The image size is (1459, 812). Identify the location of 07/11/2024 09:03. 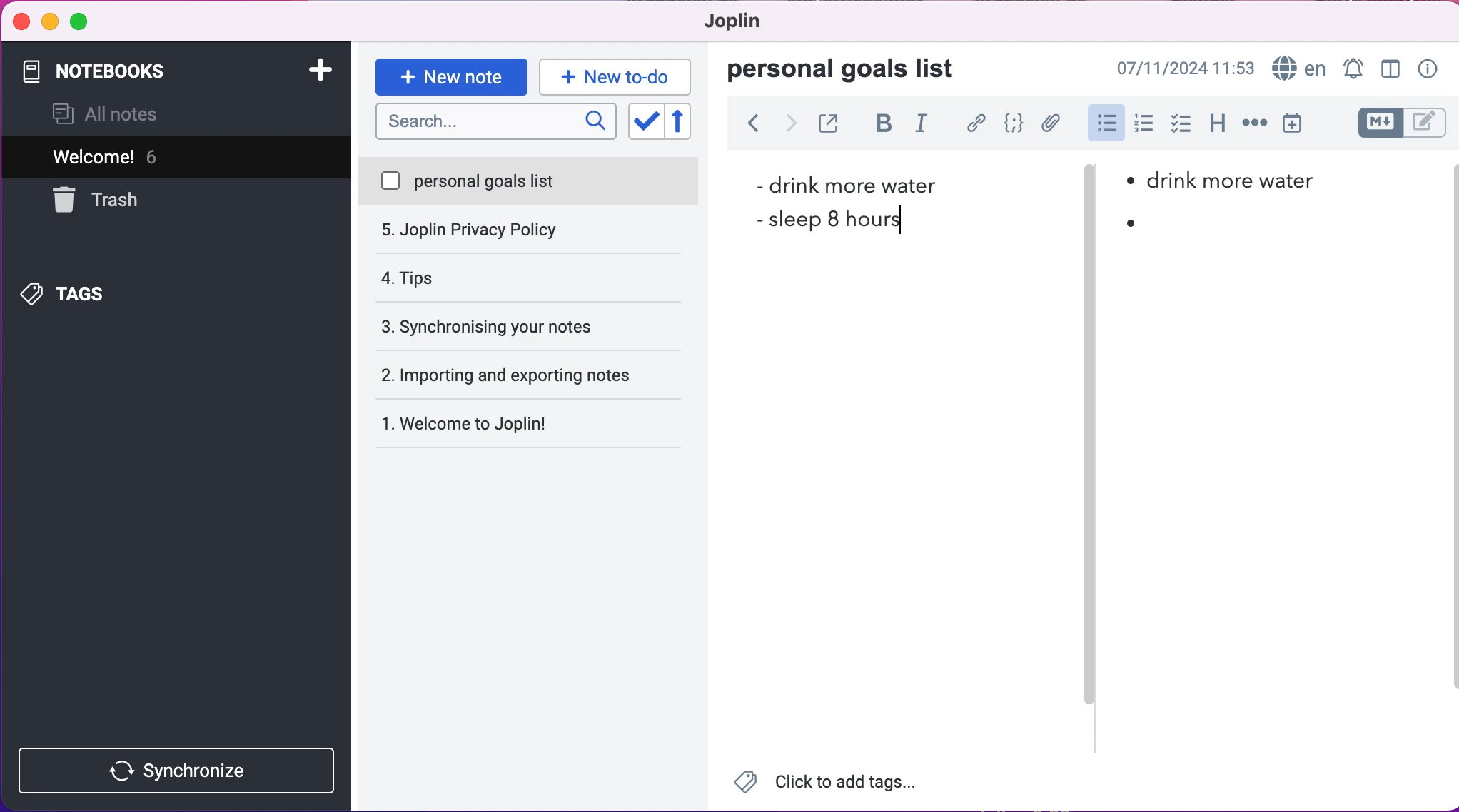
(1183, 66).